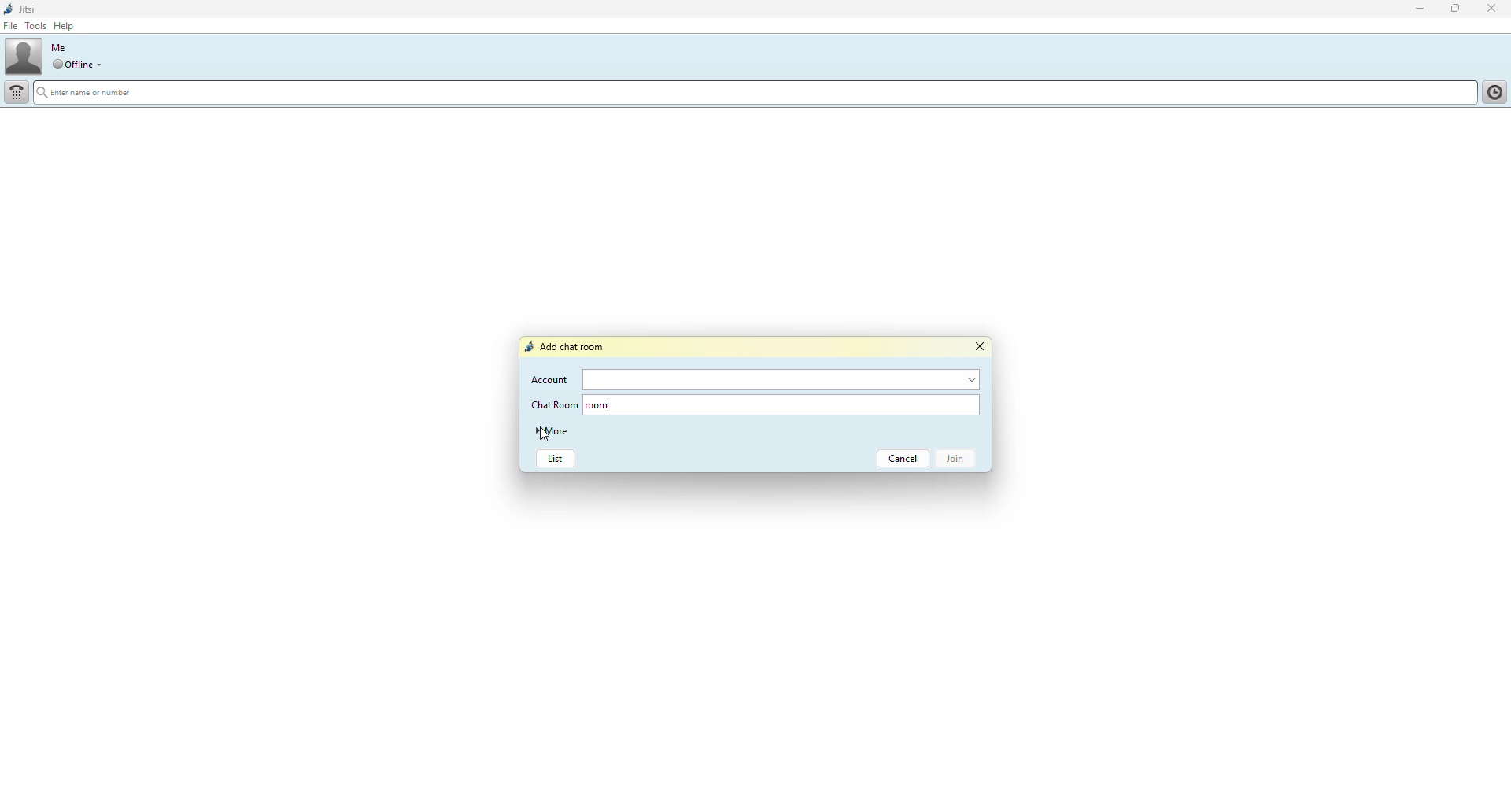 This screenshot has height=812, width=1511. What do you see at coordinates (58, 47) in the screenshot?
I see `me` at bounding box center [58, 47].